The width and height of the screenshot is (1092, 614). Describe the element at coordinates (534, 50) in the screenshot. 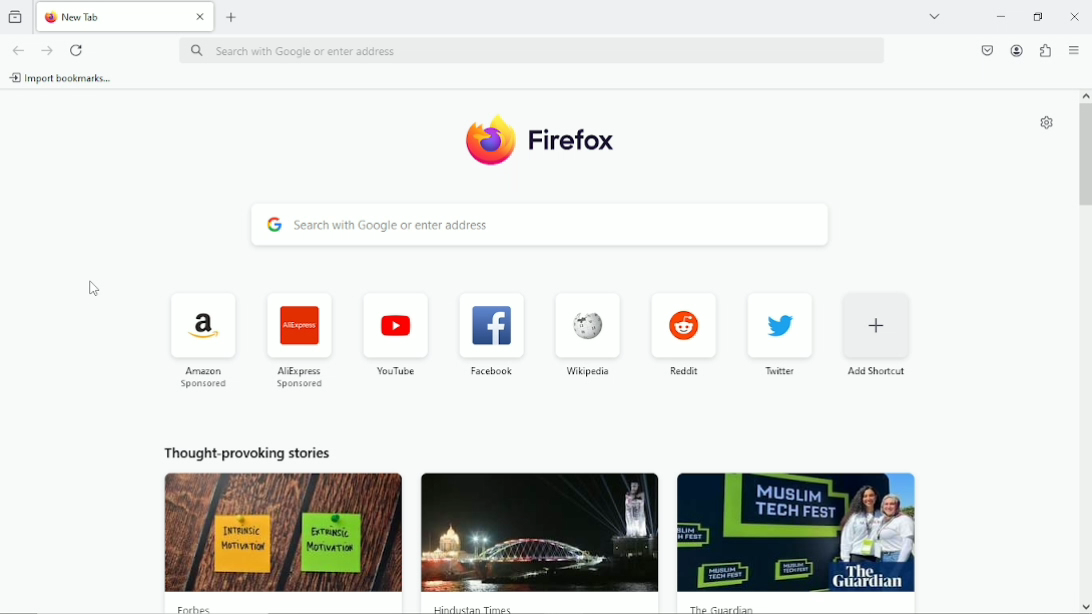

I see `Search with google or enter address` at that location.